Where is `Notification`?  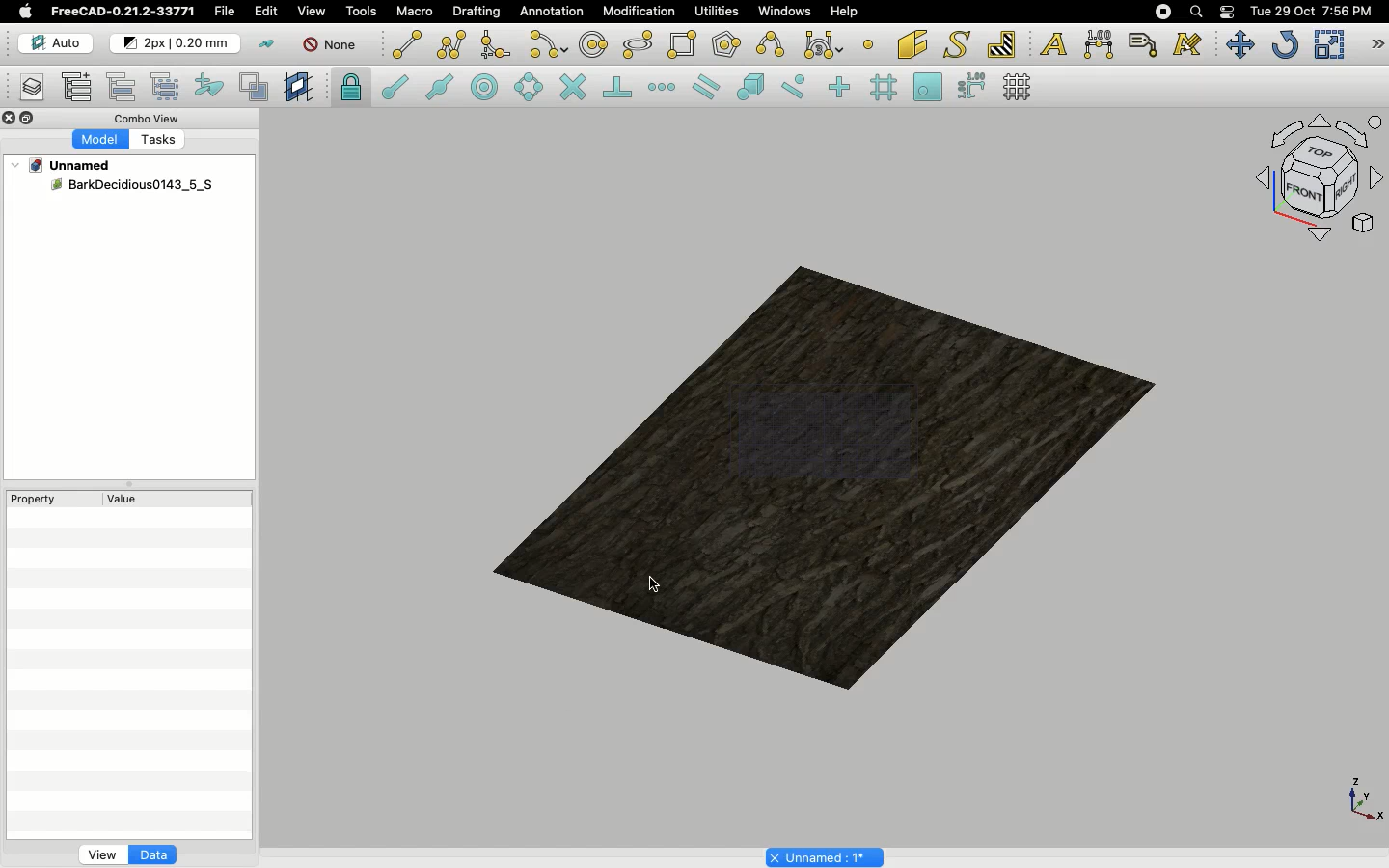
Notification is located at coordinates (1229, 11).